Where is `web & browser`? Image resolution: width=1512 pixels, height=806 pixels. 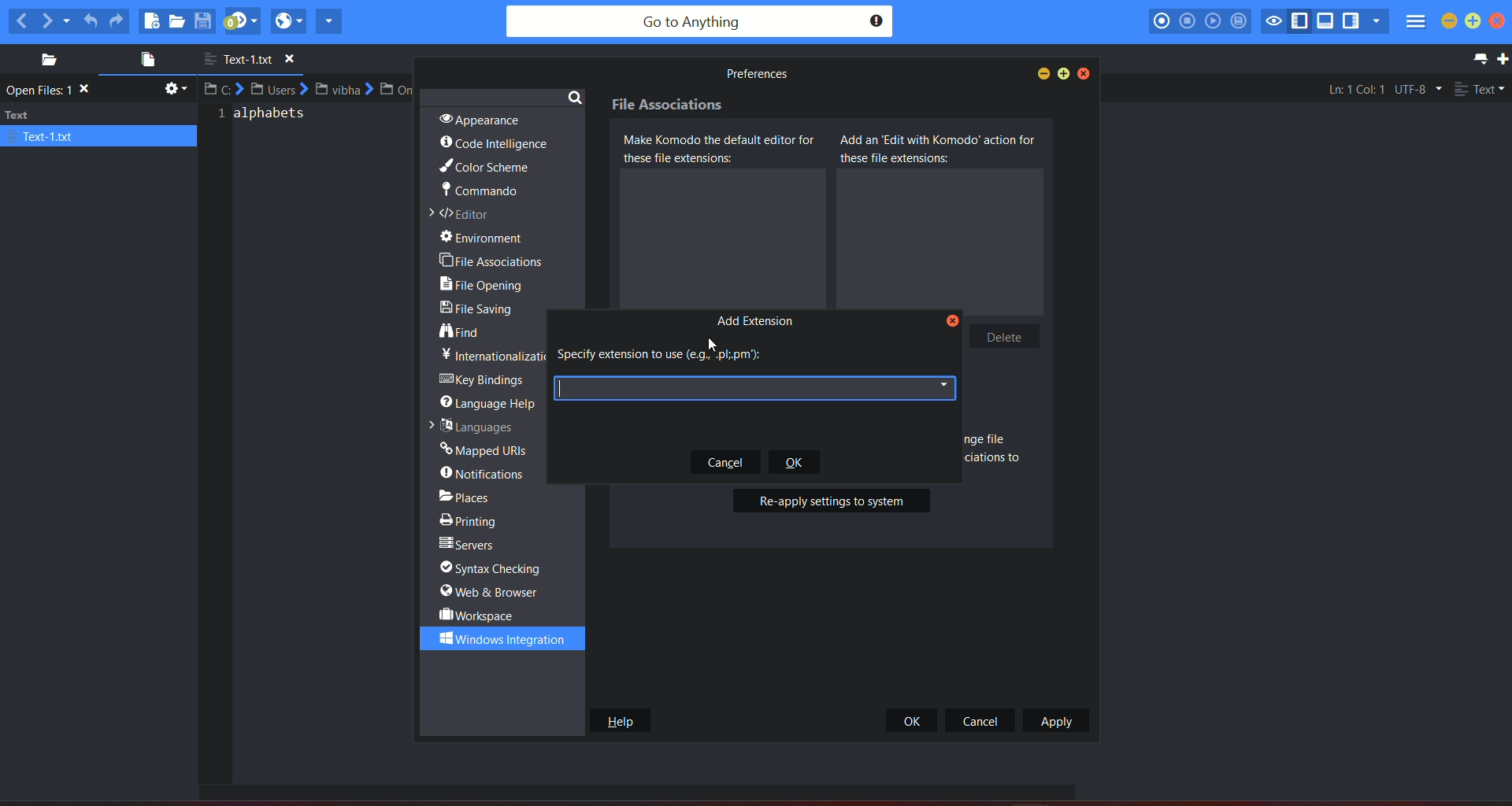 web & browser is located at coordinates (491, 592).